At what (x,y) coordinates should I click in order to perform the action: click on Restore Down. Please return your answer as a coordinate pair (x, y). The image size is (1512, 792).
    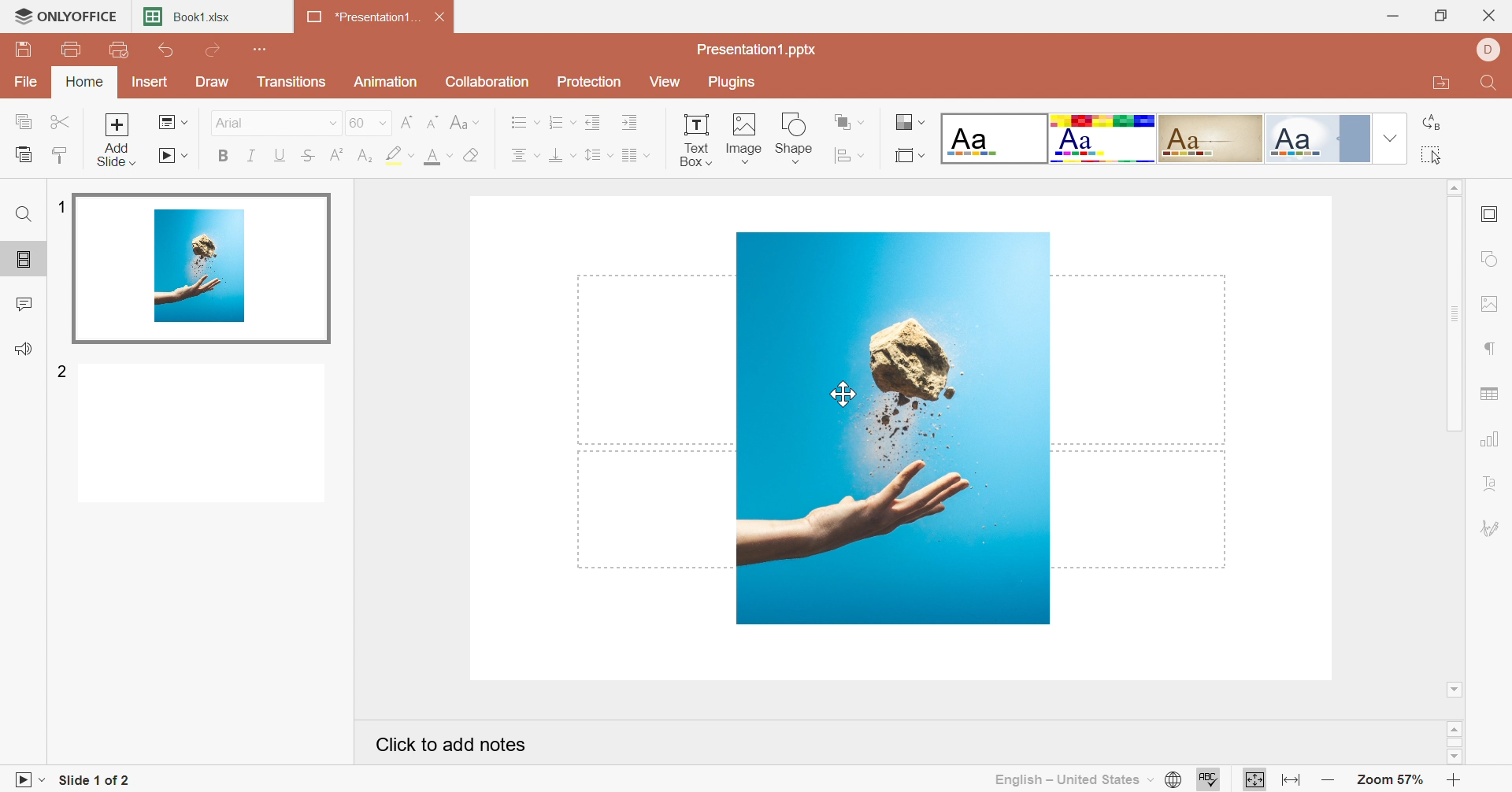
    Looking at the image, I should click on (1443, 15).